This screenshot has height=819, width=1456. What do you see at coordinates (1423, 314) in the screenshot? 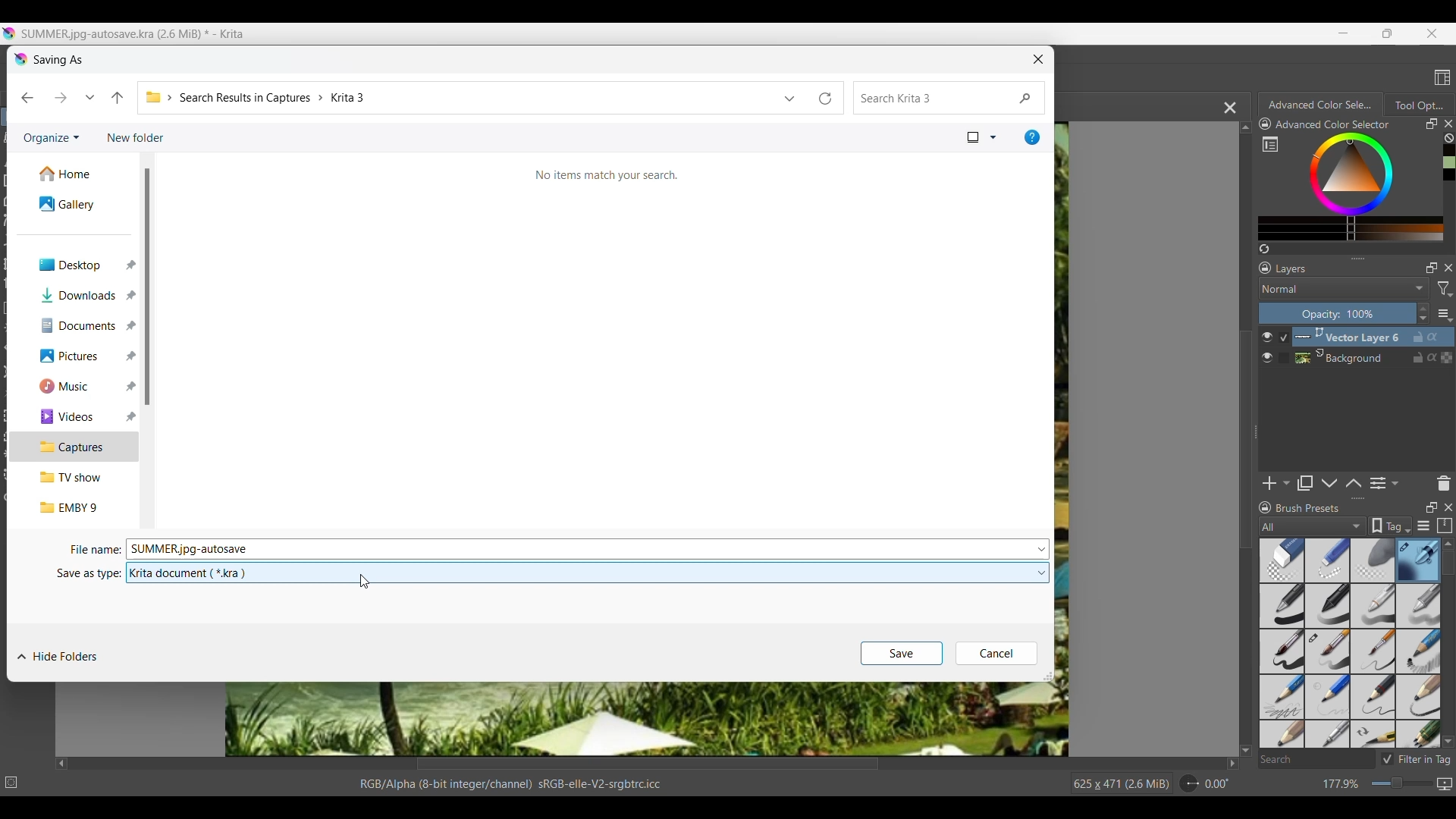
I see `Increase/Decrease opacity` at bounding box center [1423, 314].